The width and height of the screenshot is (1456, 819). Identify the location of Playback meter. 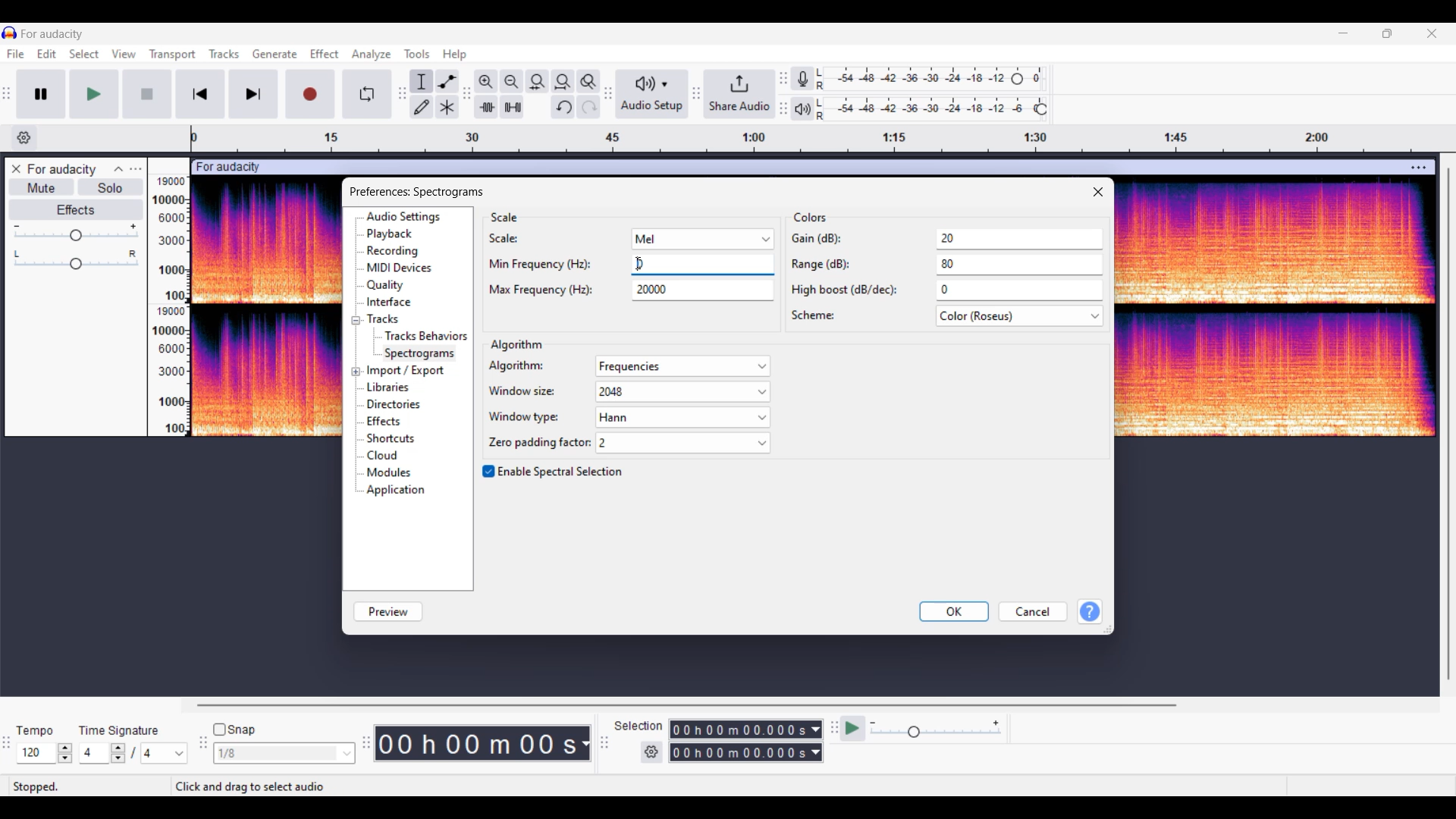
(803, 108).